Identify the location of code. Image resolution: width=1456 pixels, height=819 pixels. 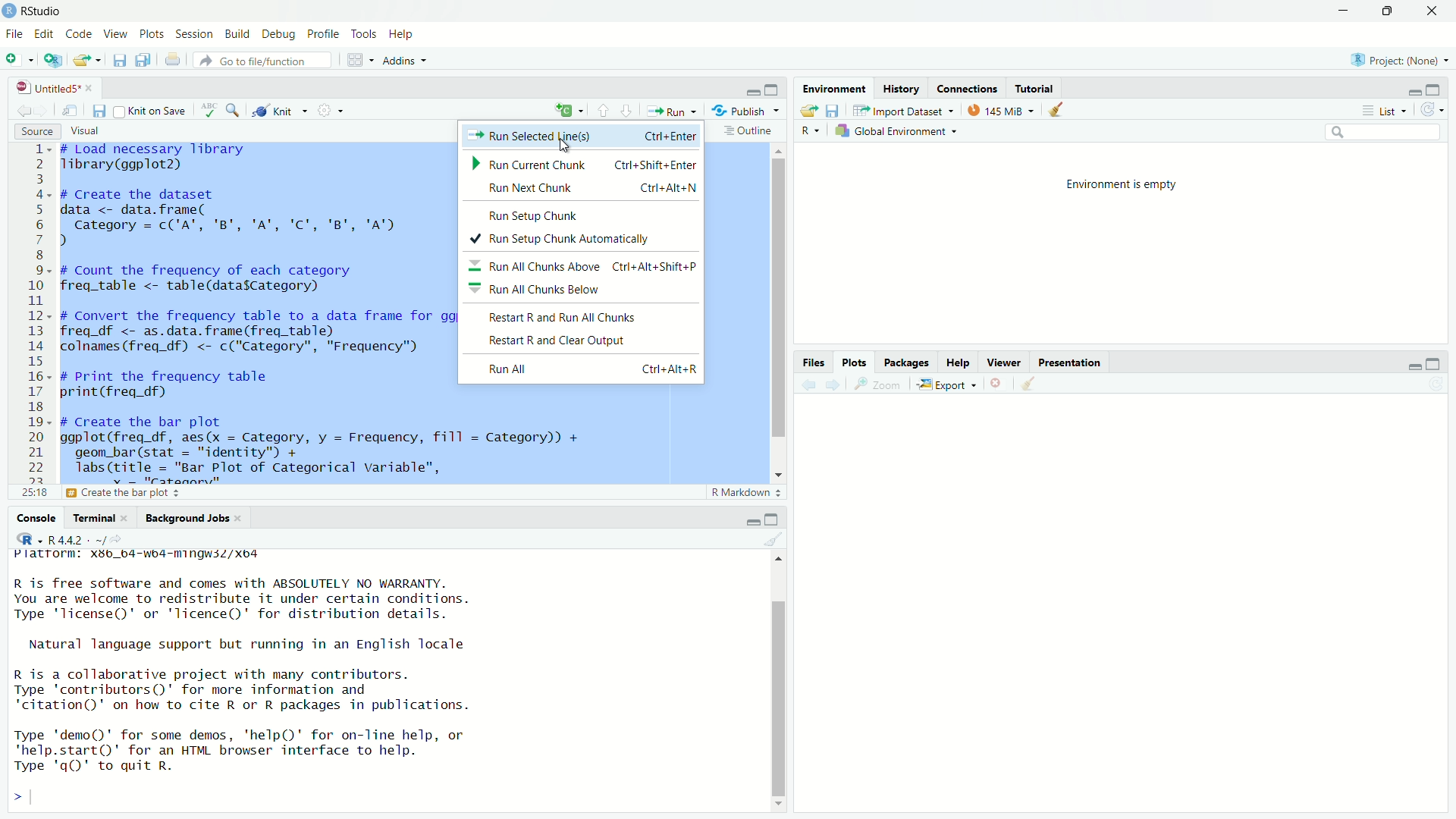
(79, 32).